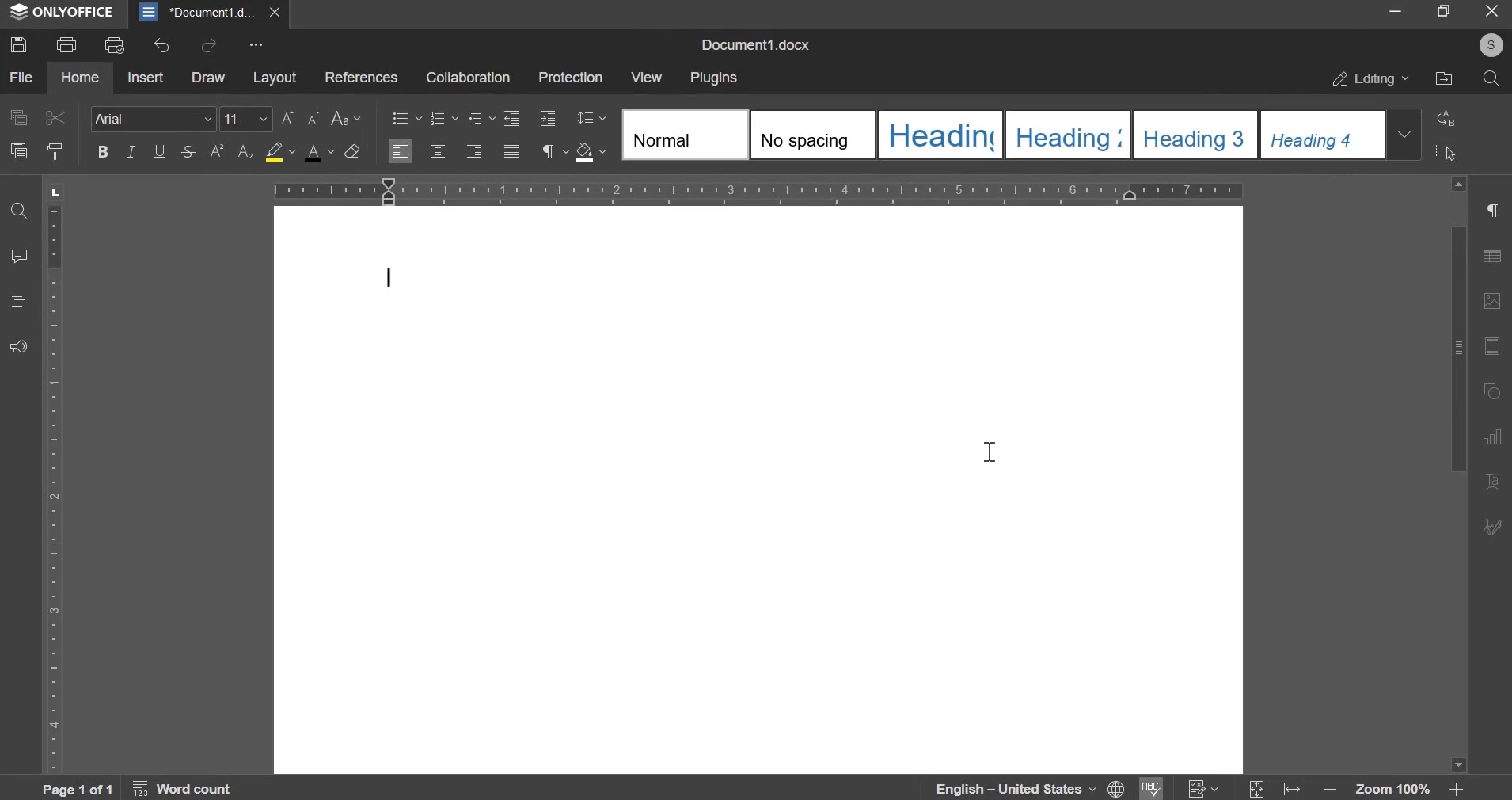 Image resolution: width=1512 pixels, height=800 pixels. Describe the element at coordinates (113, 45) in the screenshot. I see `print preview` at that location.